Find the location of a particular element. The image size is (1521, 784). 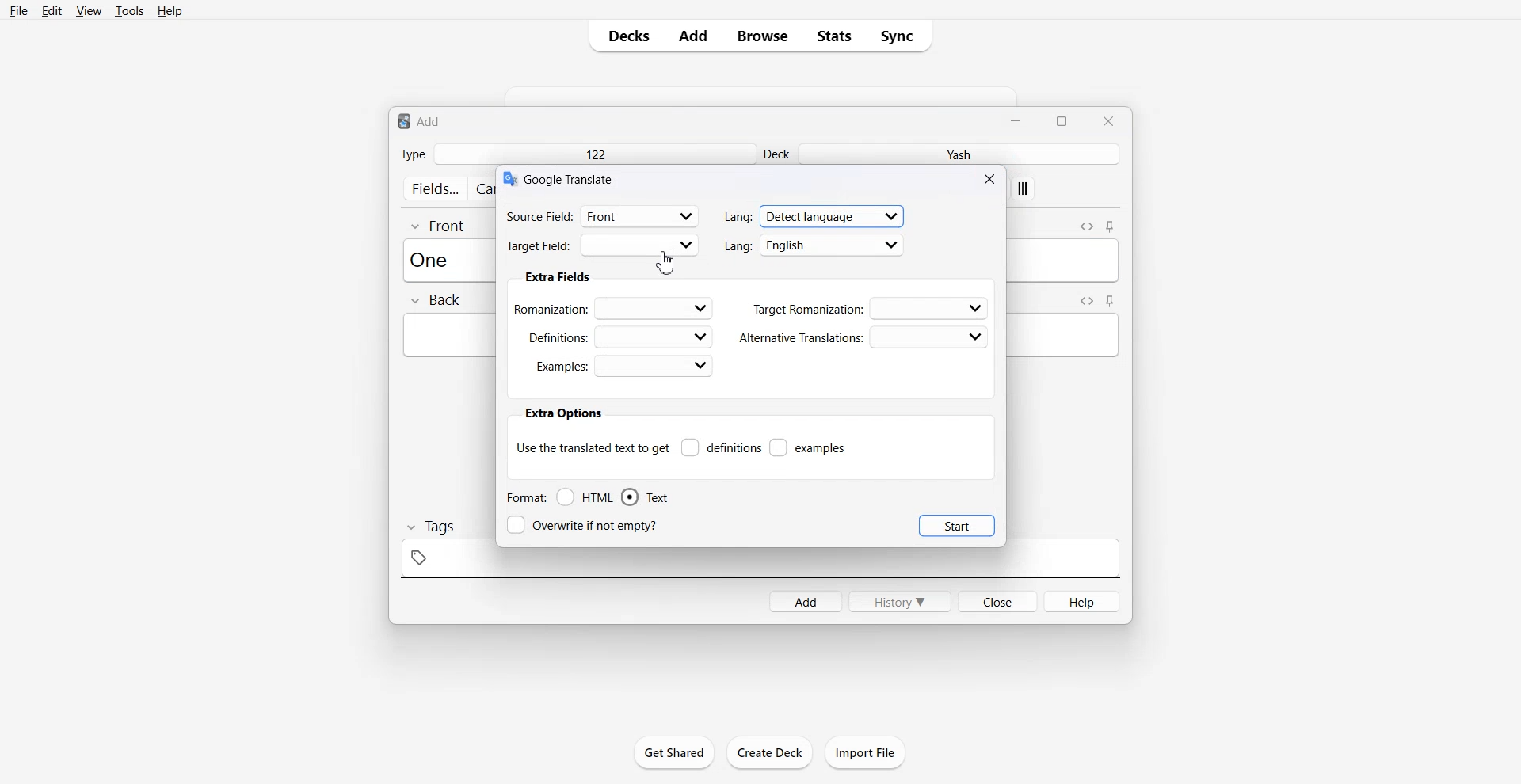

Deck is located at coordinates (779, 154).